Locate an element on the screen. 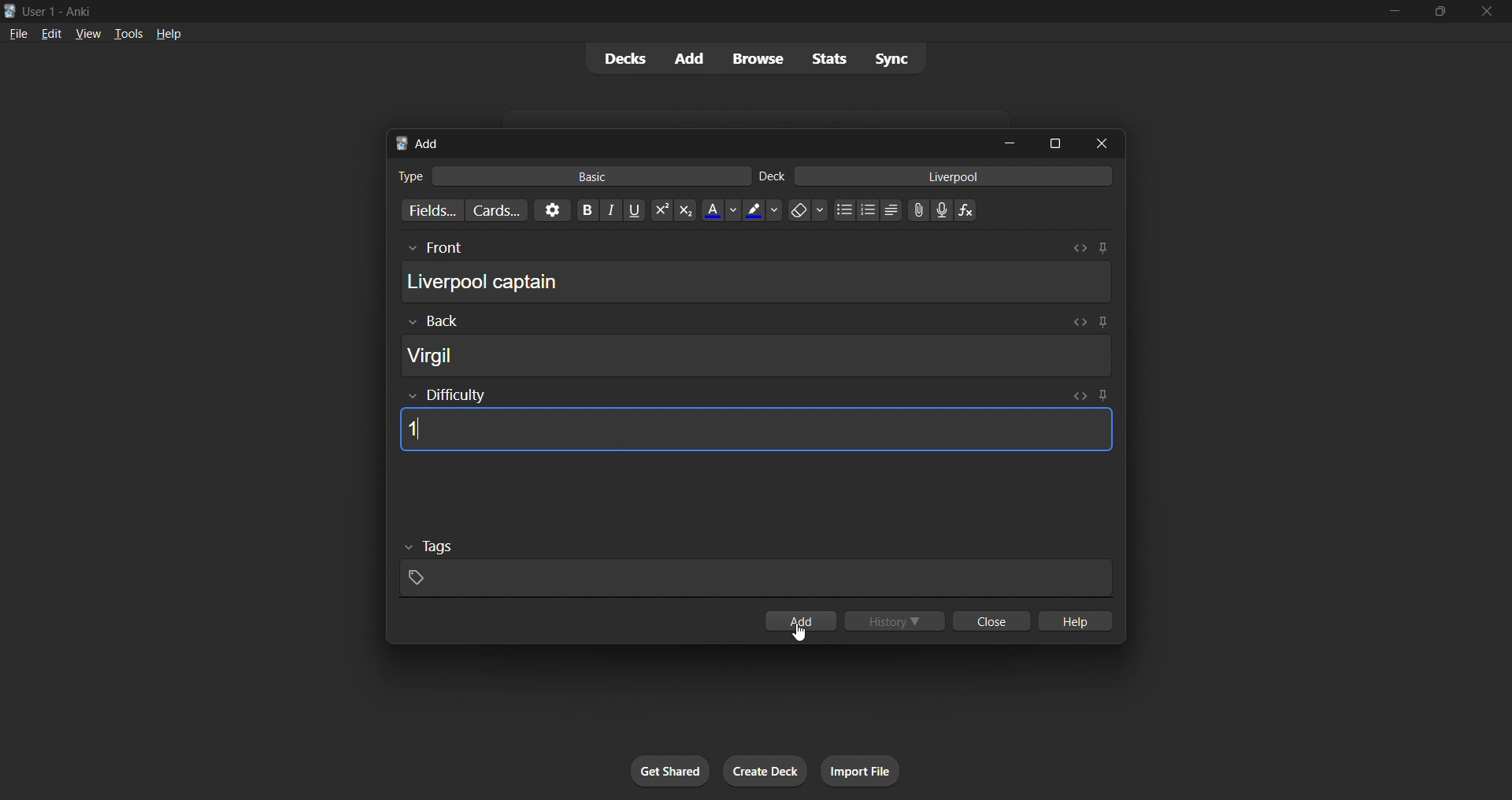 The image size is (1512, 800). Text highlighting color is located at coordinates (762, 210).